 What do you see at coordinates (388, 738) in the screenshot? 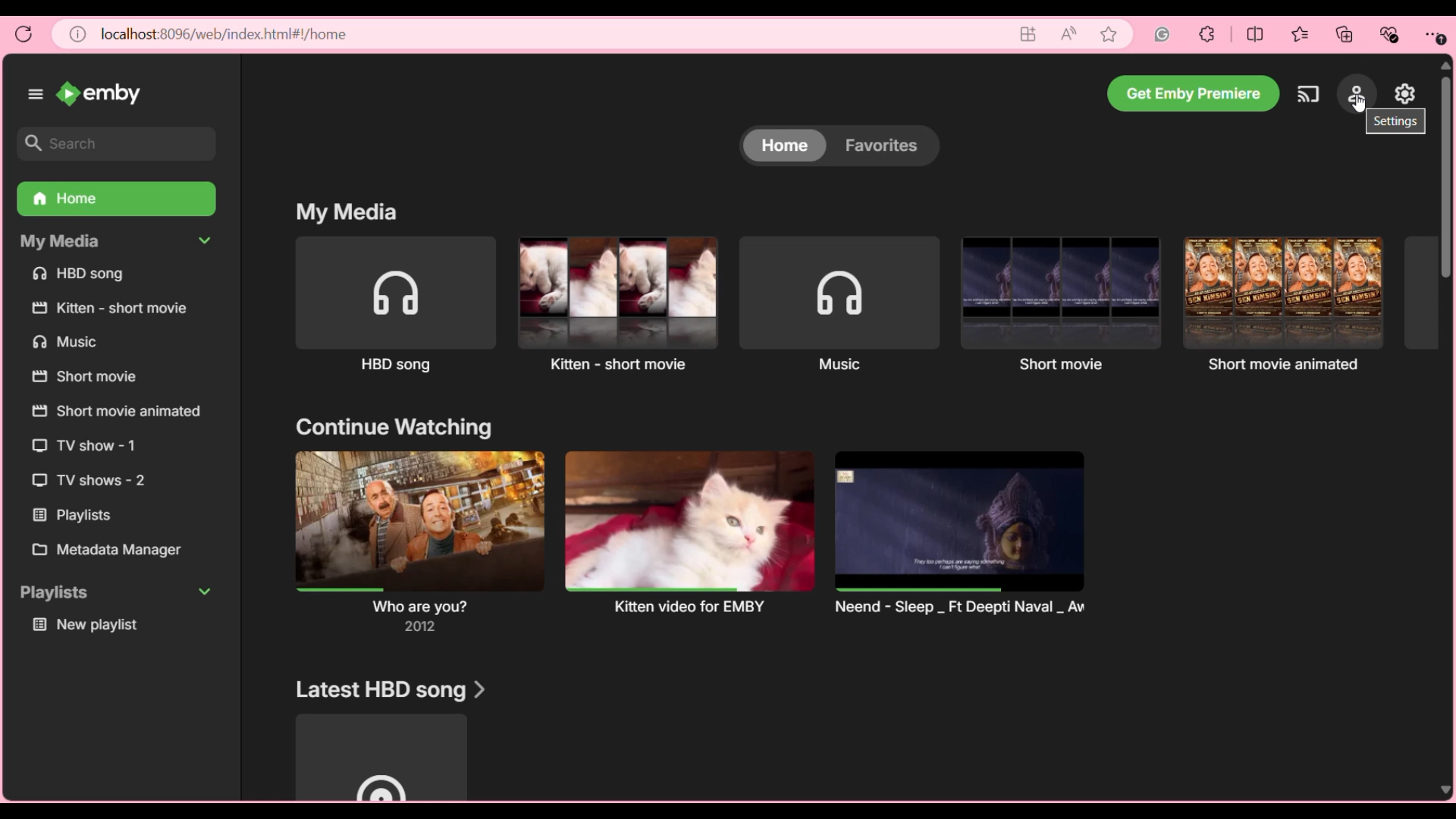
I see `Latest HBD song section and media option under it` at bounding box center [388, 738].